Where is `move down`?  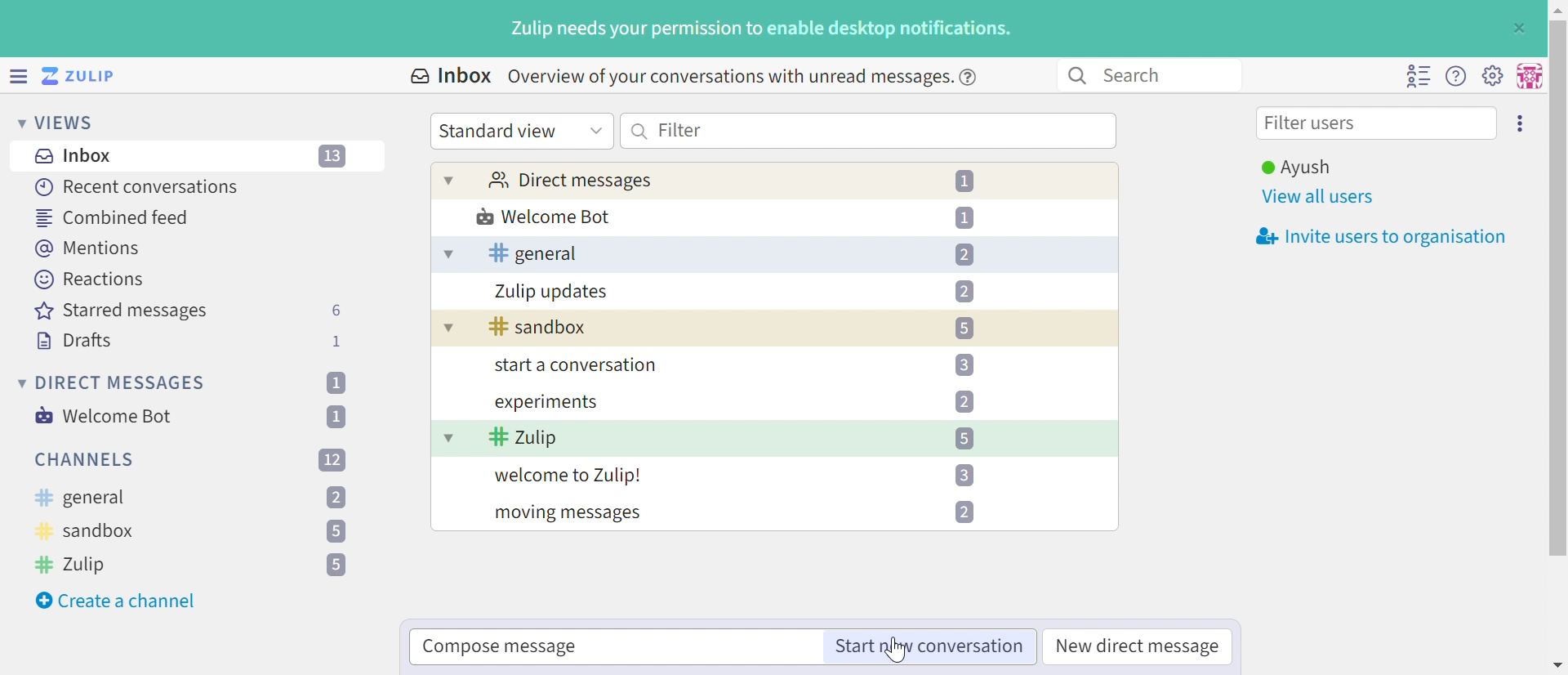
move down is located at coordinates (1558, 664).